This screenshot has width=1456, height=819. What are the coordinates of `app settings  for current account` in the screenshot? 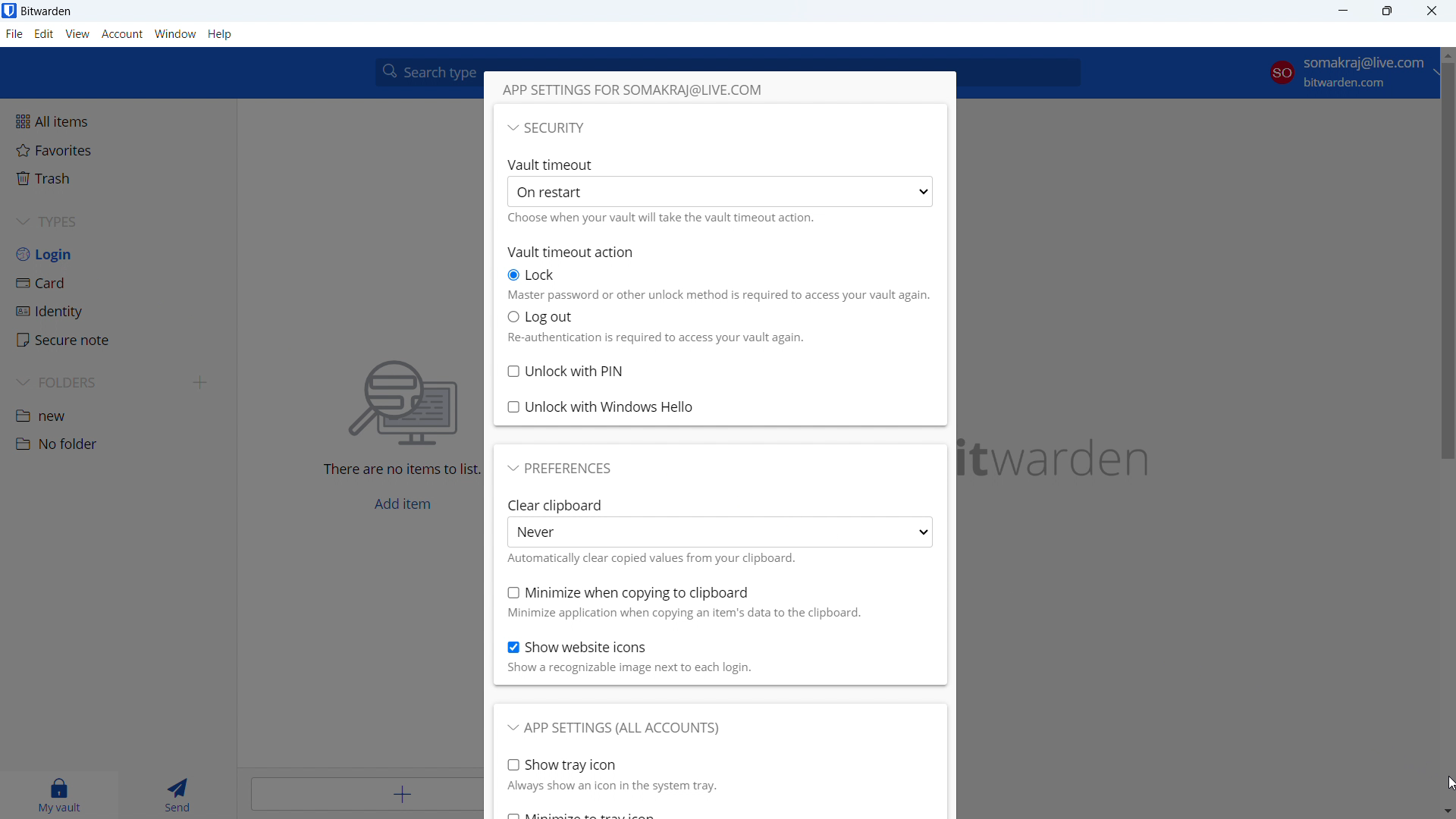 It's located at (633, 89).